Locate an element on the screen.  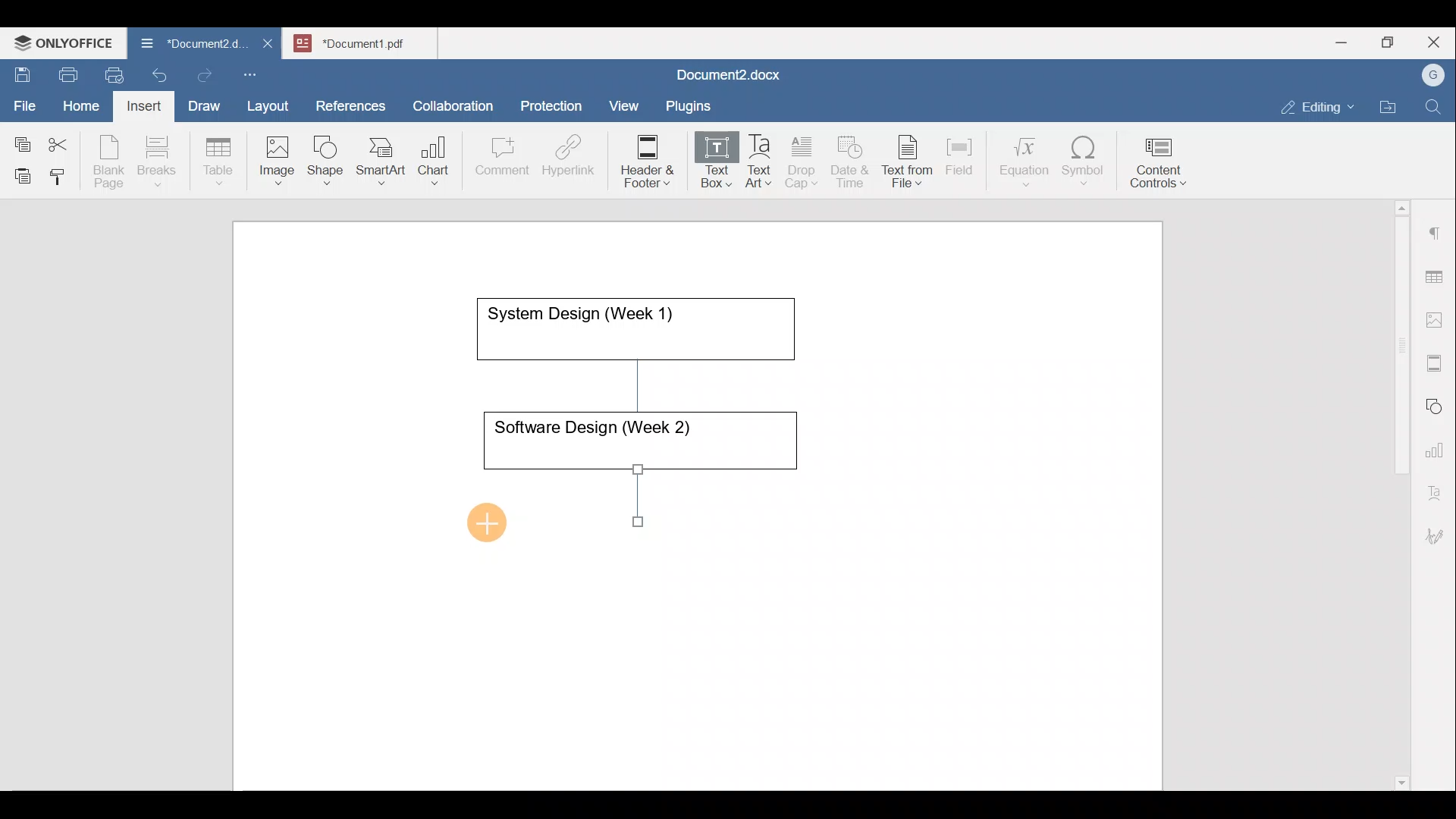
Content controls is located at coordinates (1161, 168).